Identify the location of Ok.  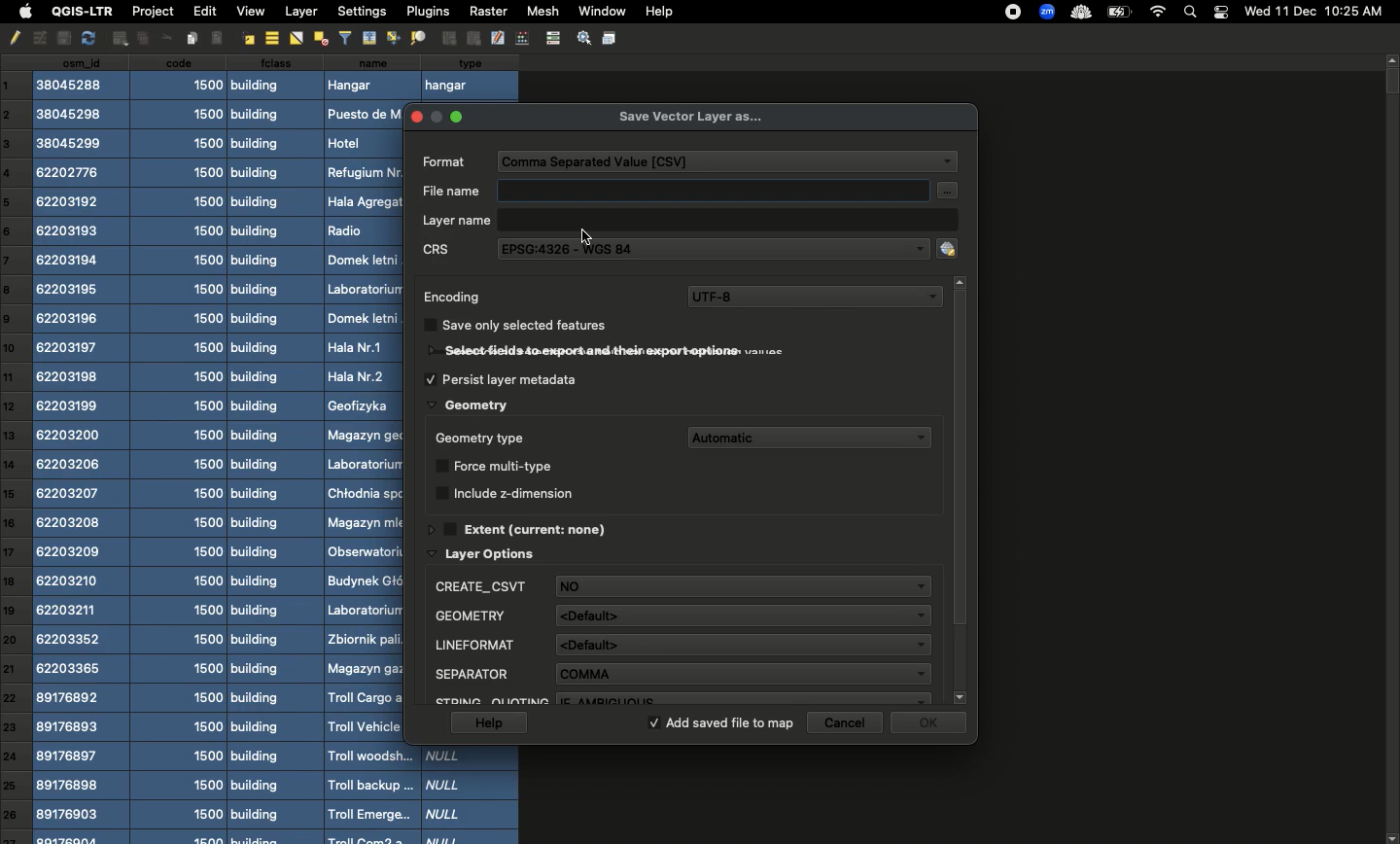
(932, 726).